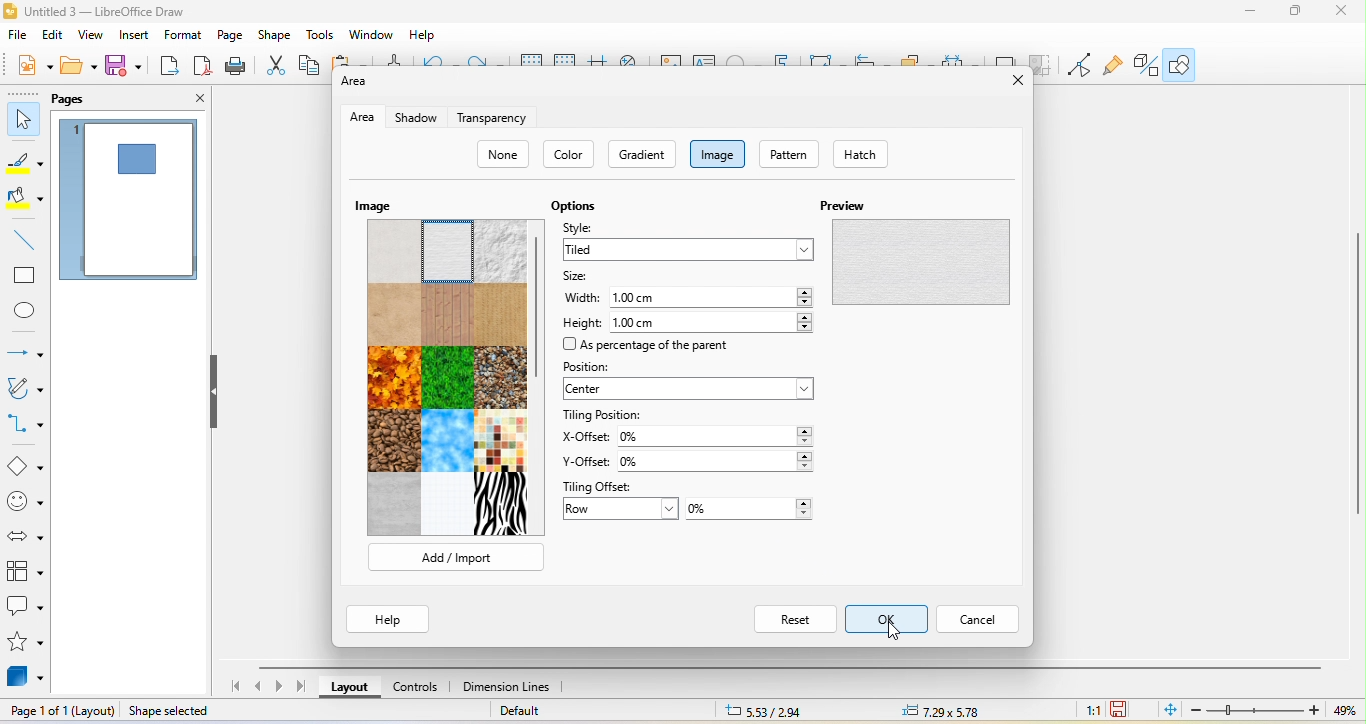 Image resolution: width=1366 pixels, height=724 pixels. What do you see at coordinates (785, 58) in the screenshot?
I see `fontwork text` at bounding box center [785, 58].